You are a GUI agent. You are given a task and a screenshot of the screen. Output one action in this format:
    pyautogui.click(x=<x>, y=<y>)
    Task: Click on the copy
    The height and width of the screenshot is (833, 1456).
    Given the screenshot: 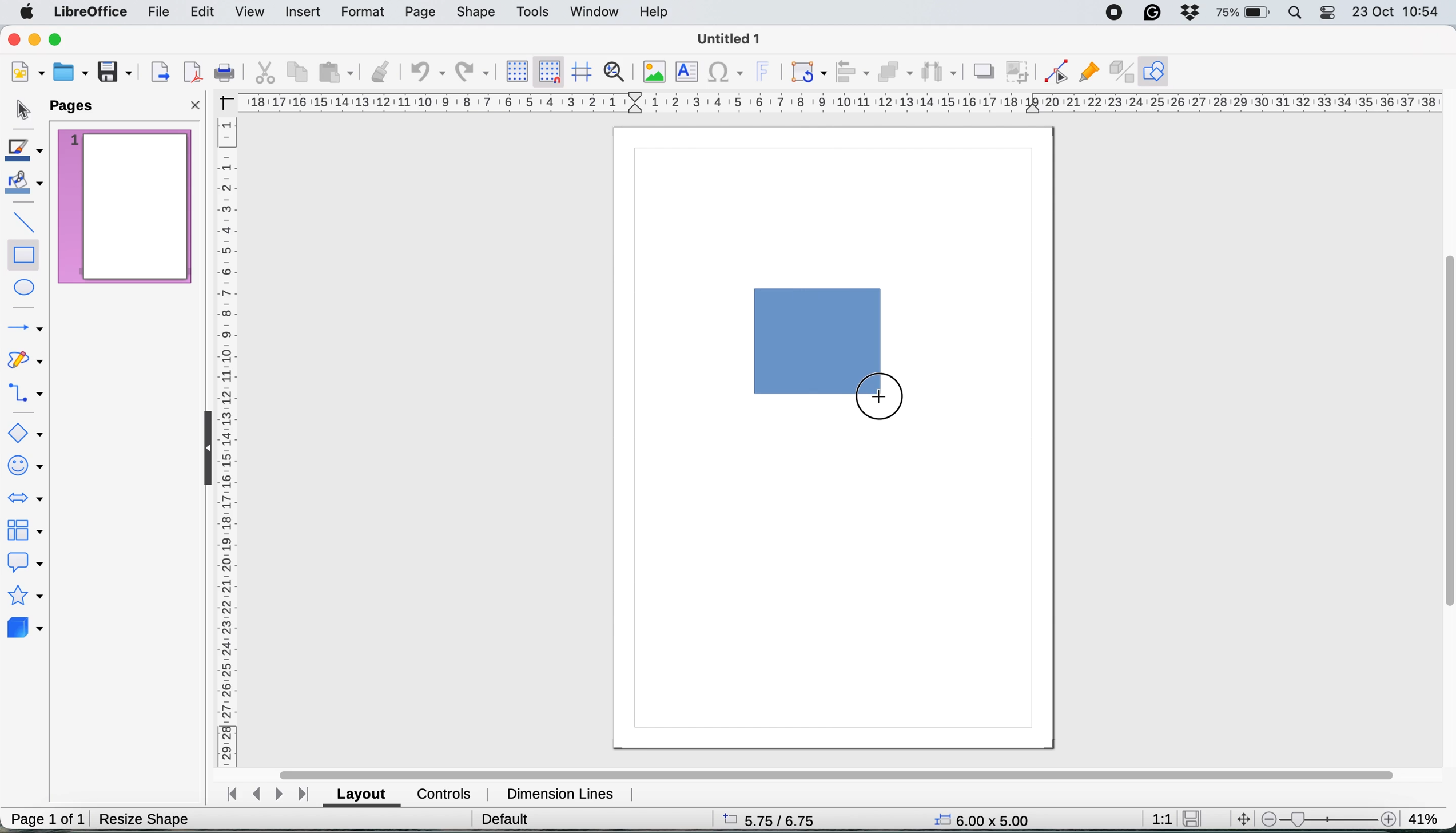 What is the action you would take?
    pyautogui.click(x=301, y=72)
    